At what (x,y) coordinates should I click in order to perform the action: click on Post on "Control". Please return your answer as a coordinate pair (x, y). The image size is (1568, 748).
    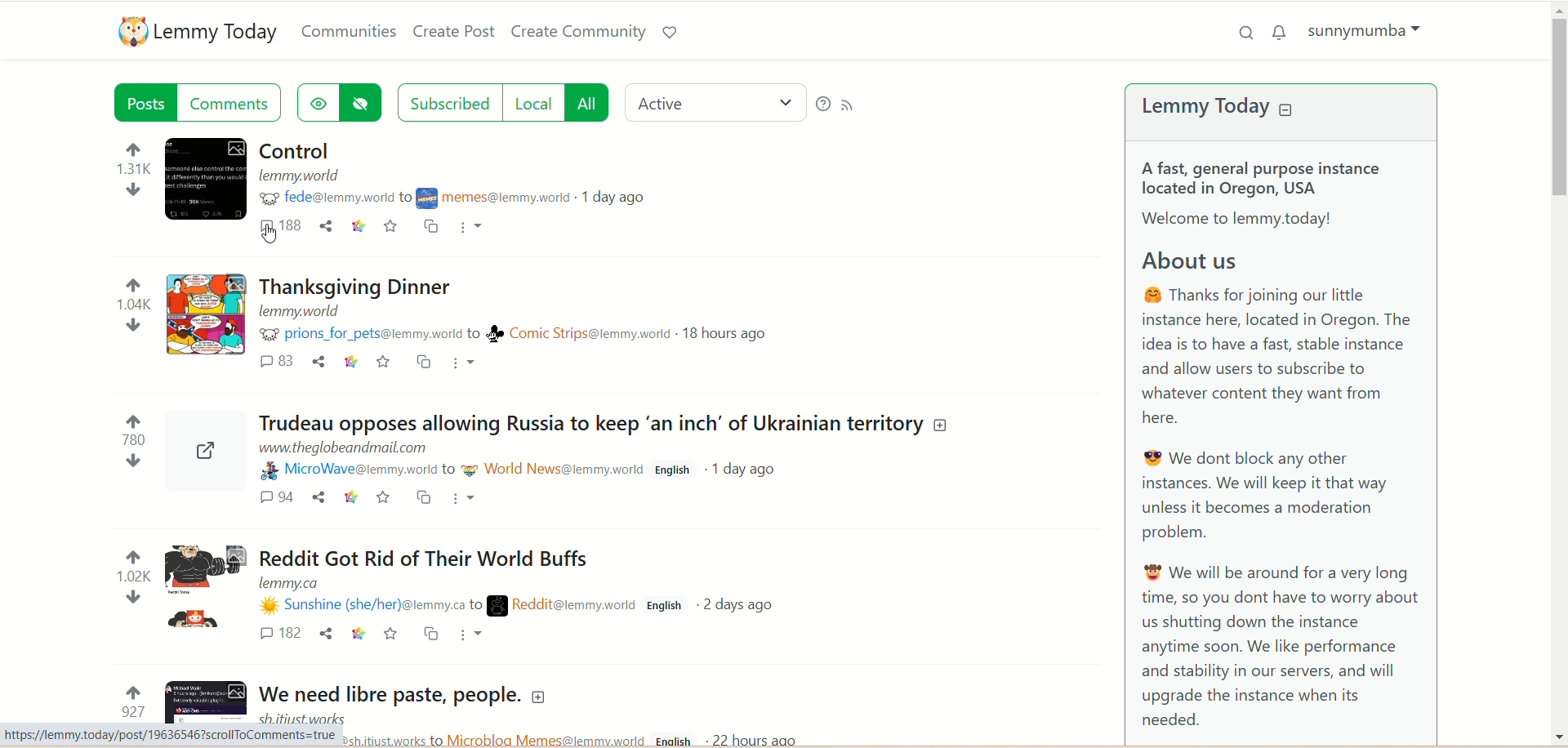
    Looking at the image, I should click on (301, 152).